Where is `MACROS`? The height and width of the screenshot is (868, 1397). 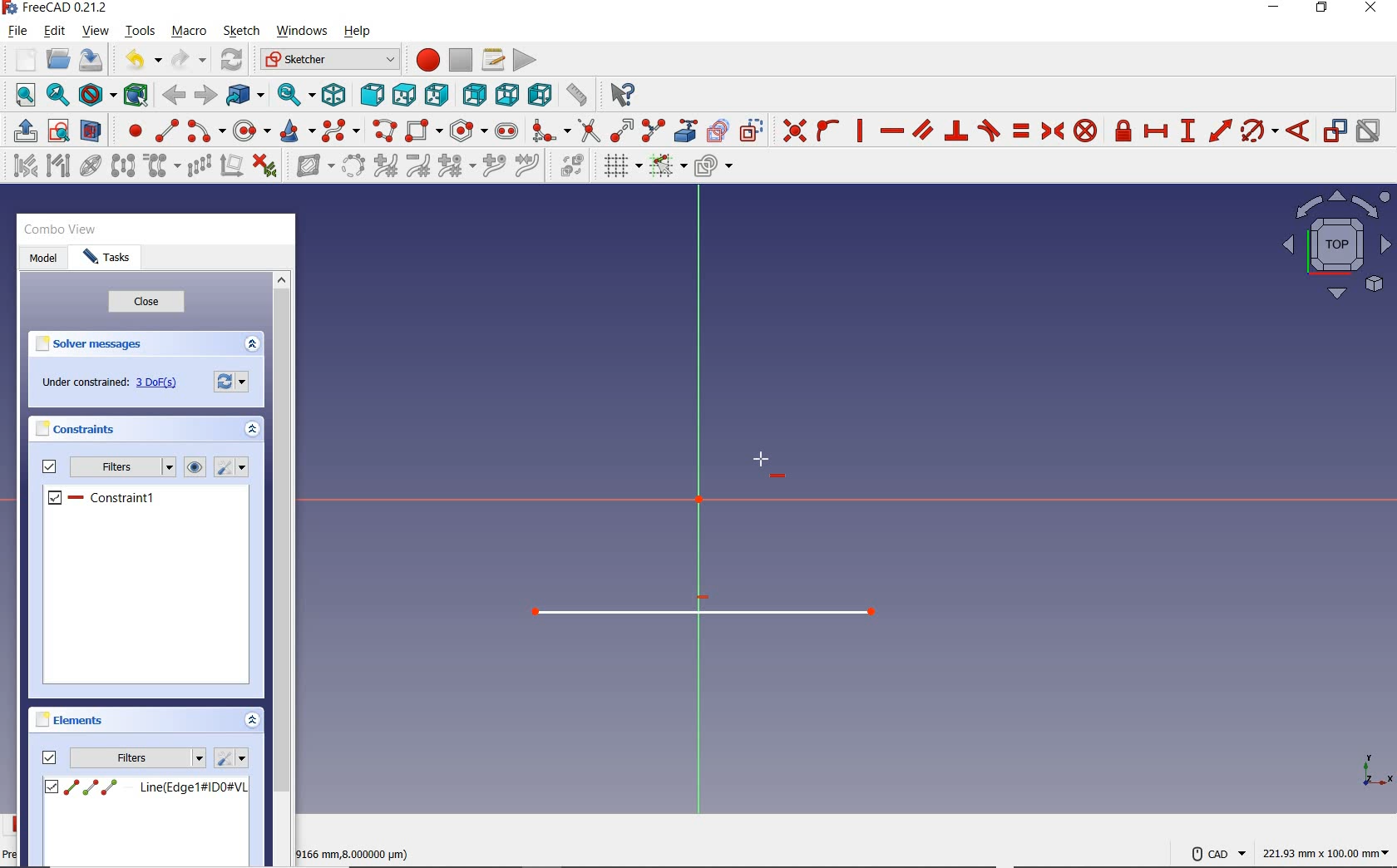 MACROS is located at coordinates (493, 59).